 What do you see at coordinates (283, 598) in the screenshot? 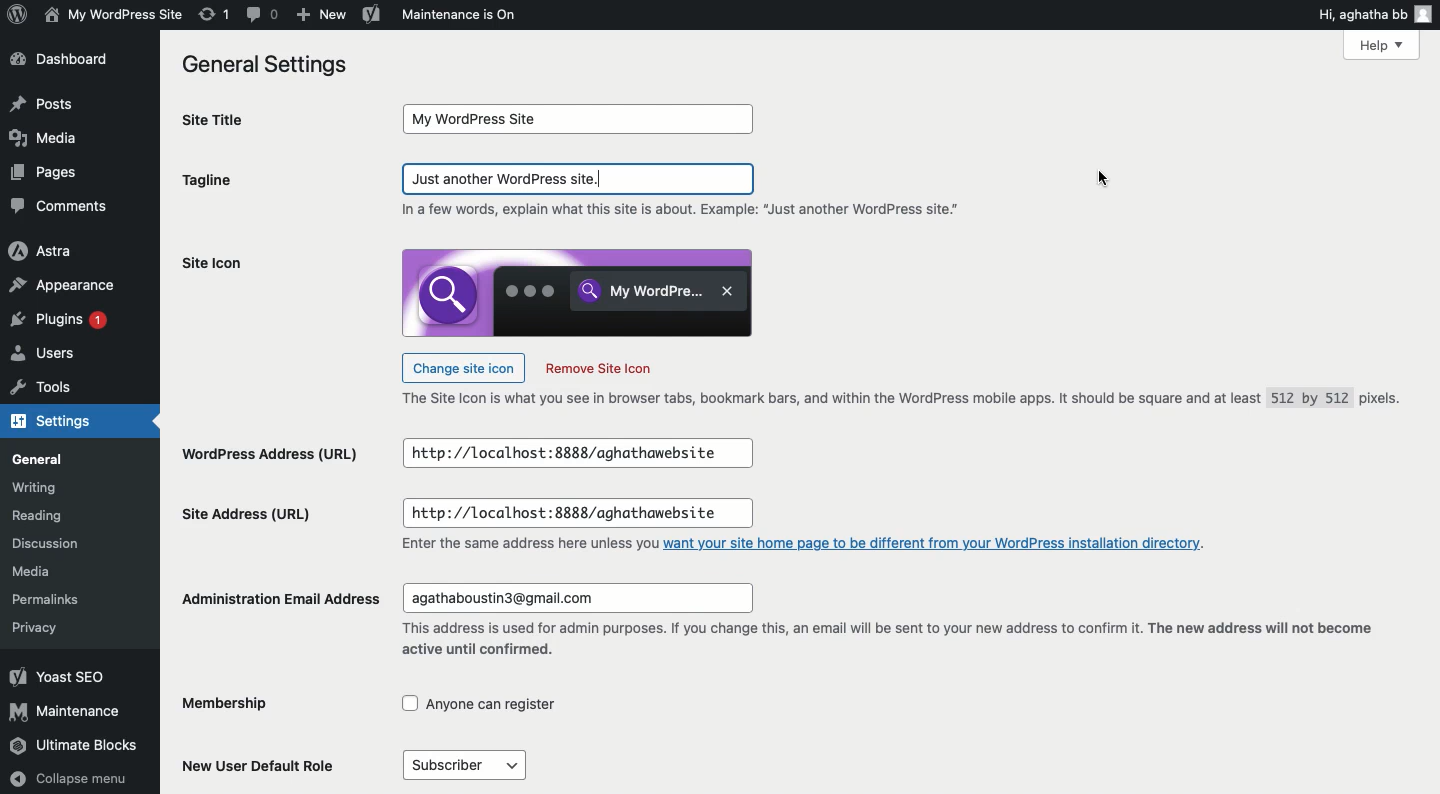
I see `Administration email address` at bounding box center [283, 598].